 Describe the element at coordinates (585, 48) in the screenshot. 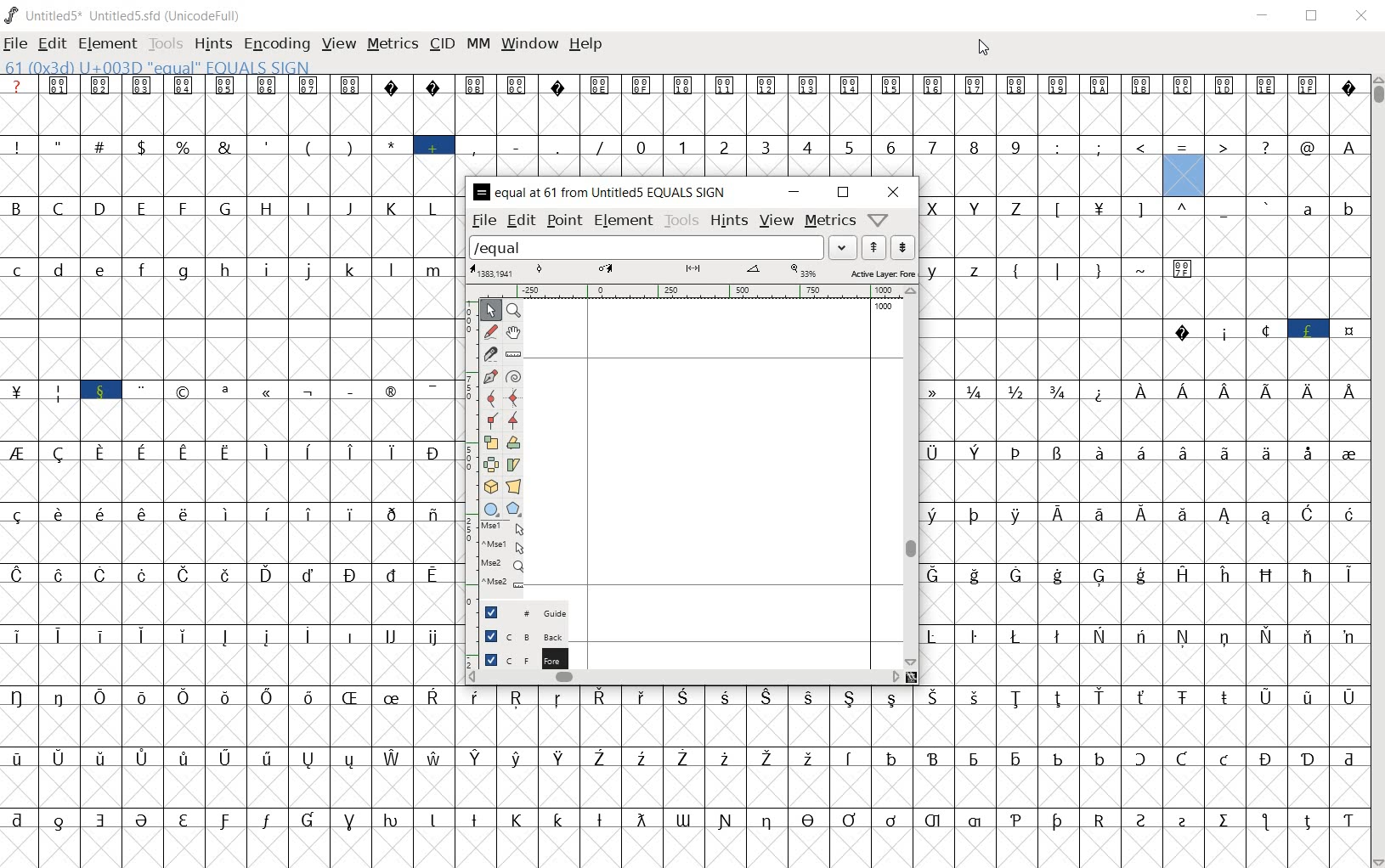

I see `help` at that location.